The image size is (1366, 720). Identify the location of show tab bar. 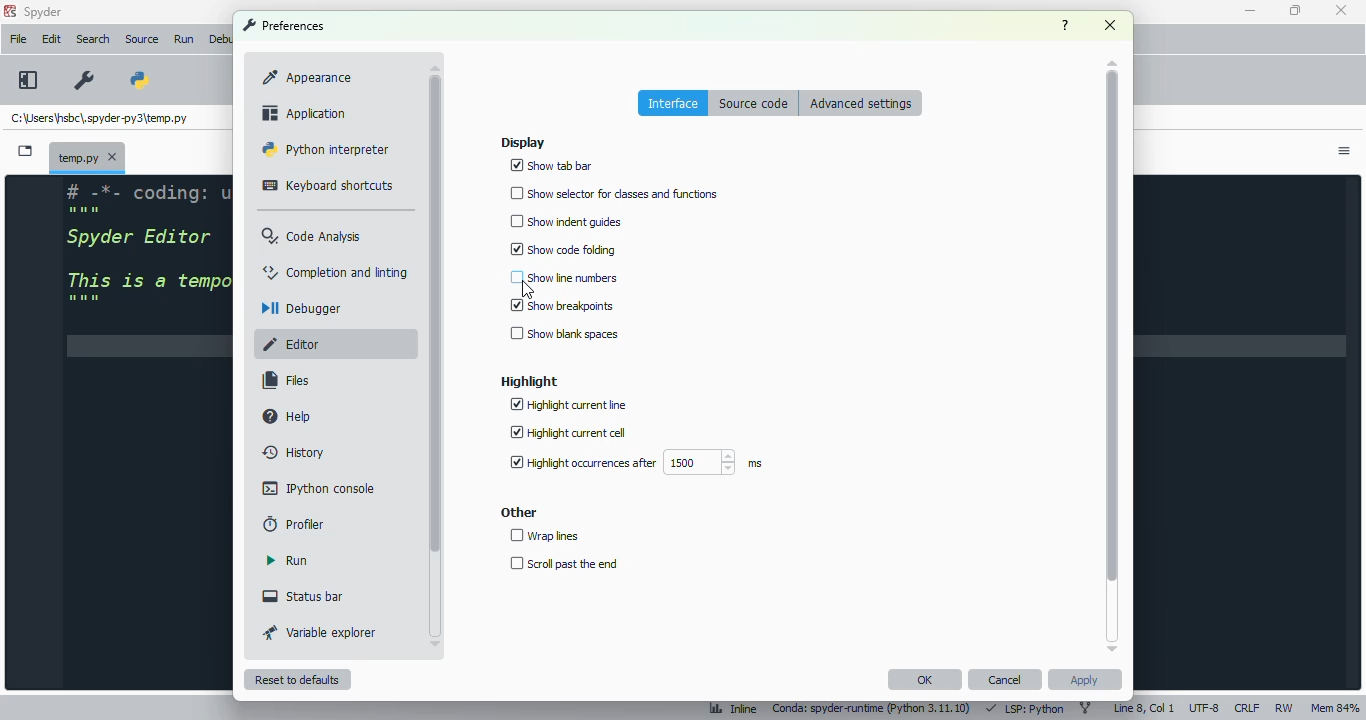
(554, 166).